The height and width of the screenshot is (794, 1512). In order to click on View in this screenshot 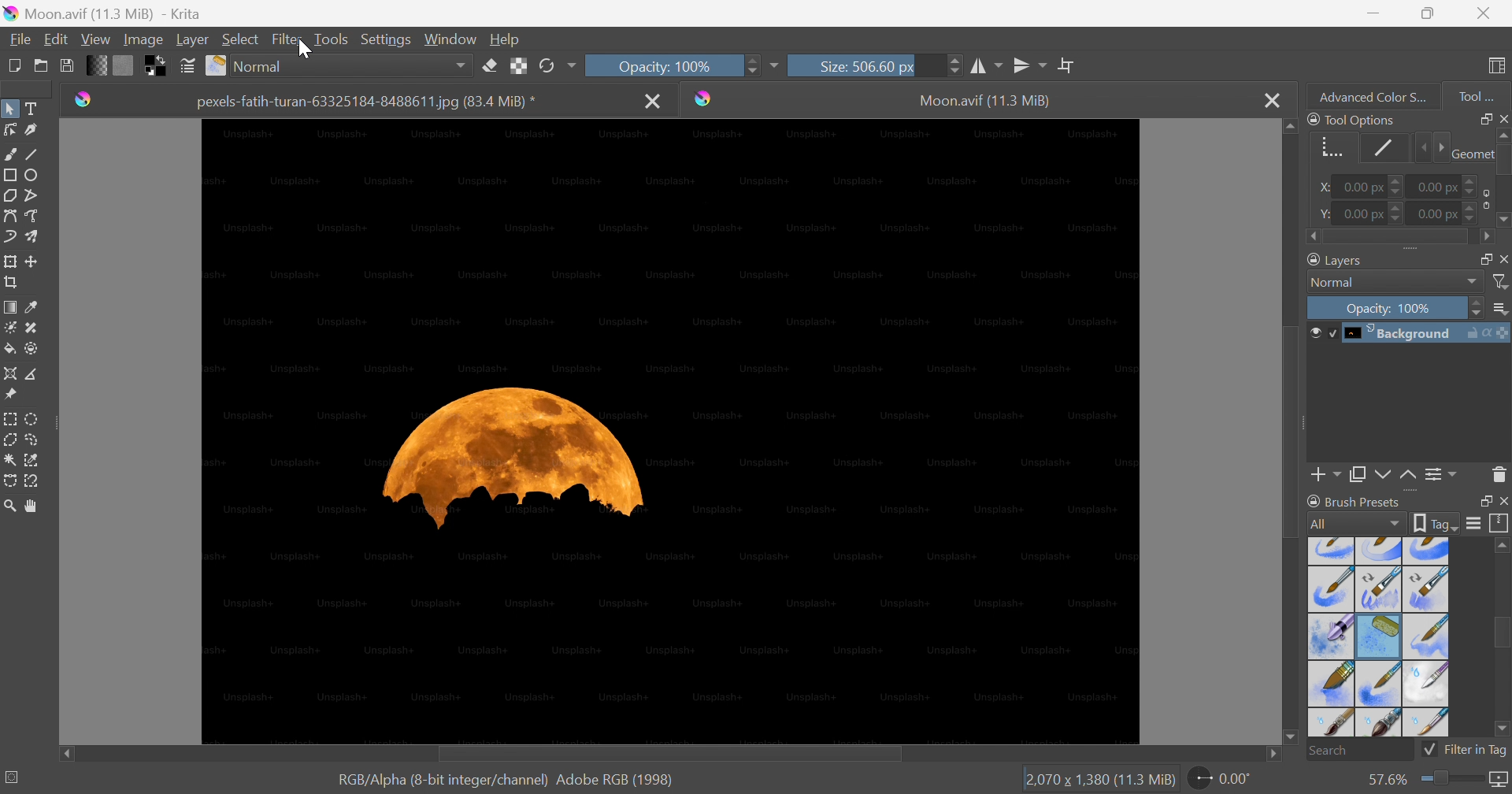, I will do `click(95, 40)`.